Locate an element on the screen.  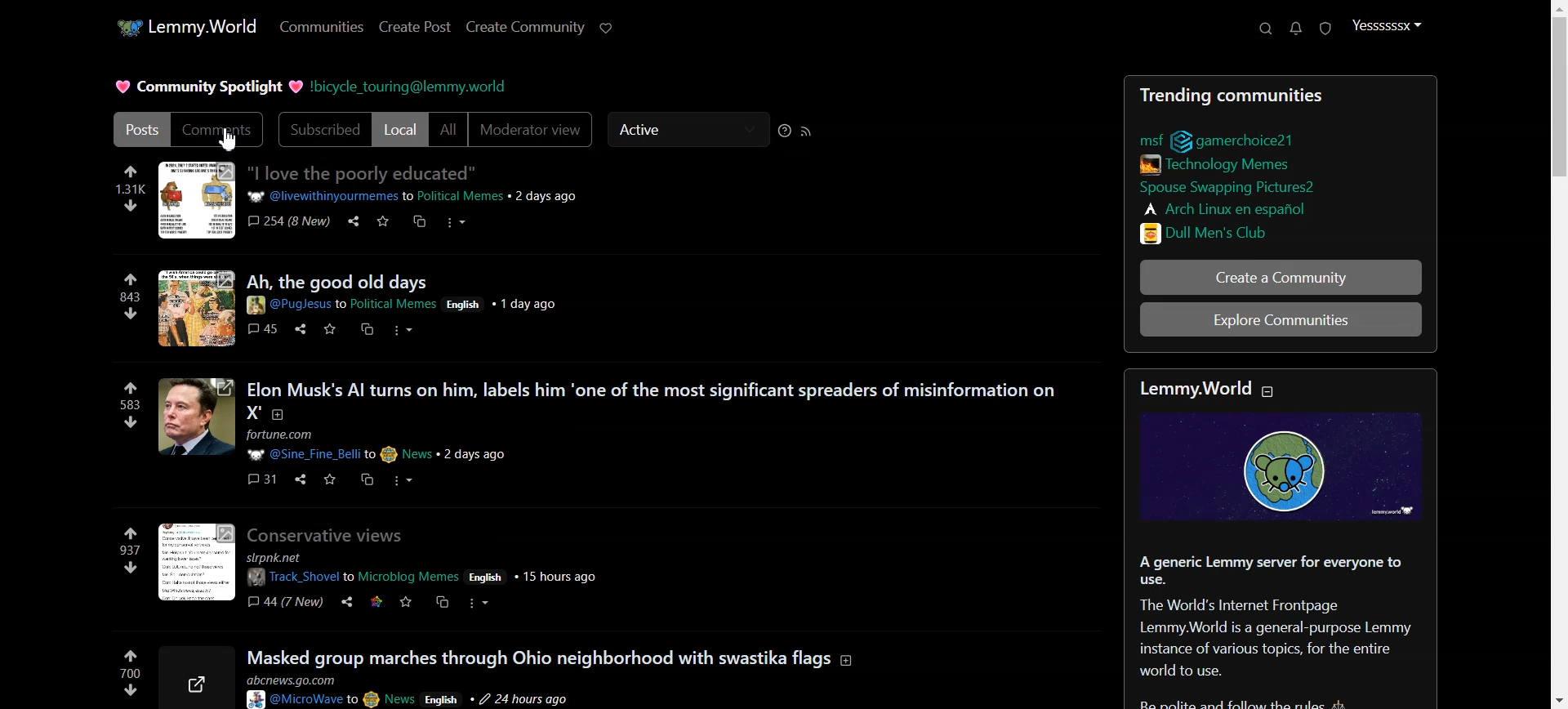
Posts is located at coordinates (139, 129).